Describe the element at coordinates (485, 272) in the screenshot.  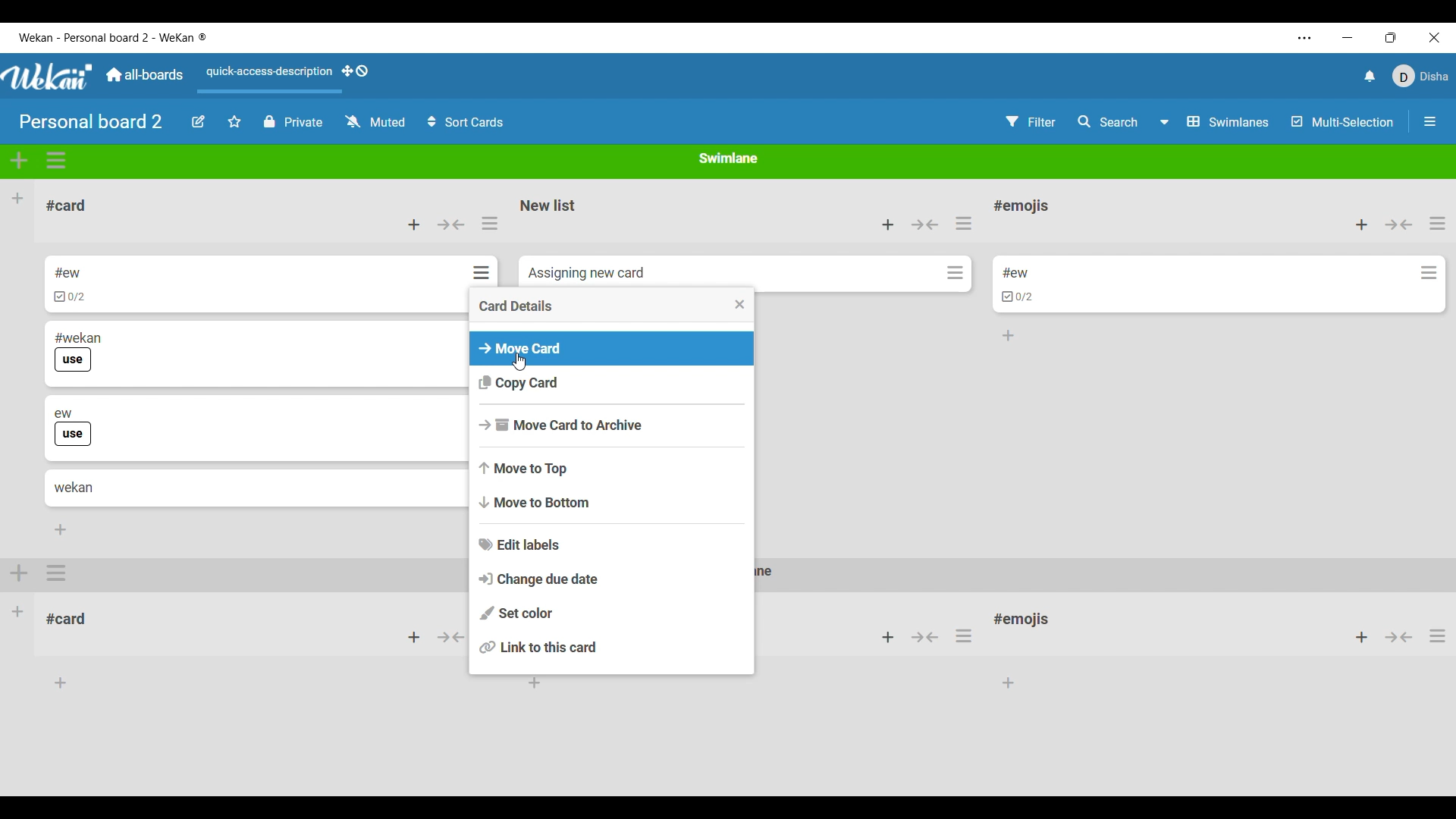
I see `Card actions ` at that location.